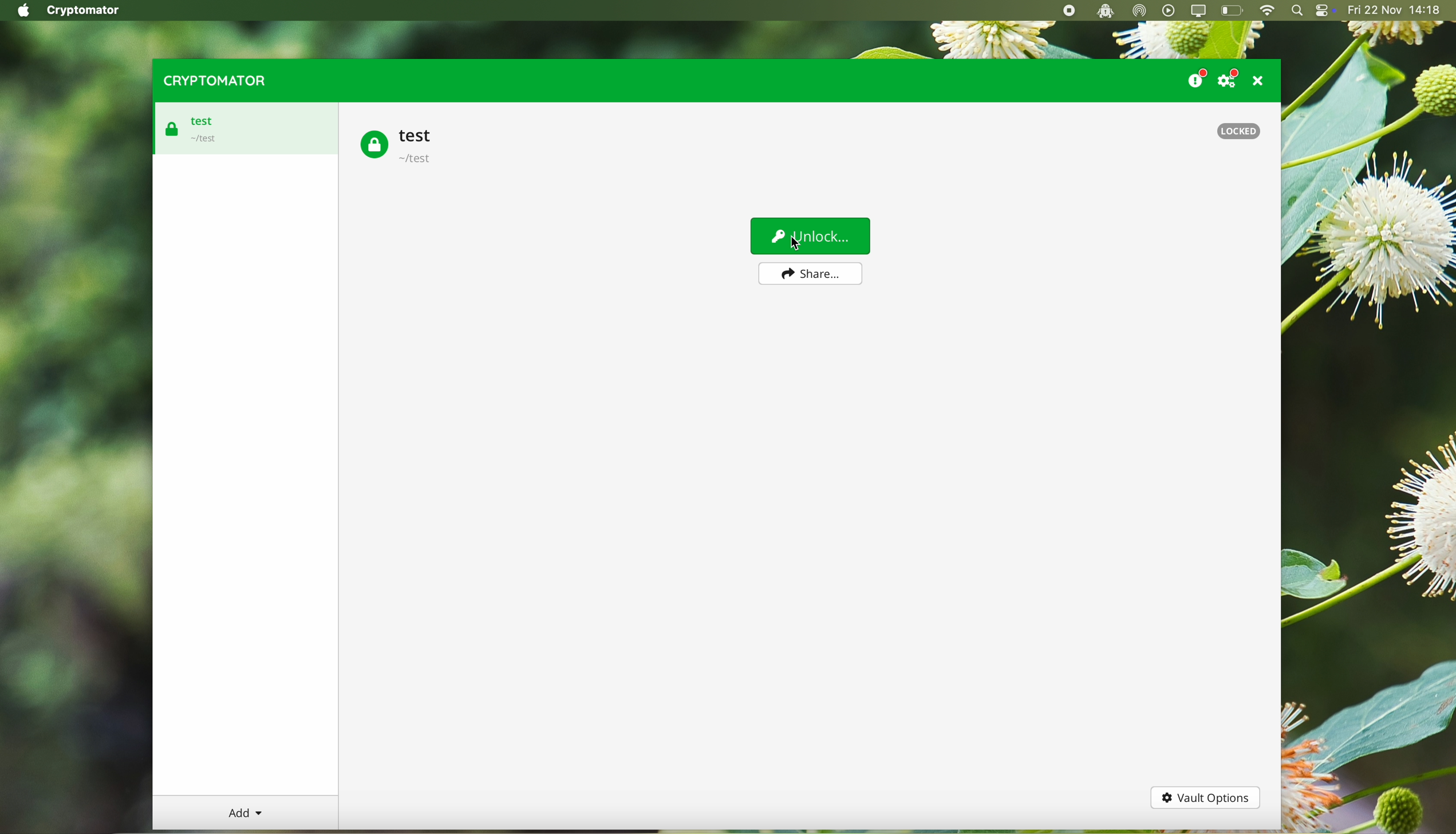  I want to click on battery, so click(1233, 11).